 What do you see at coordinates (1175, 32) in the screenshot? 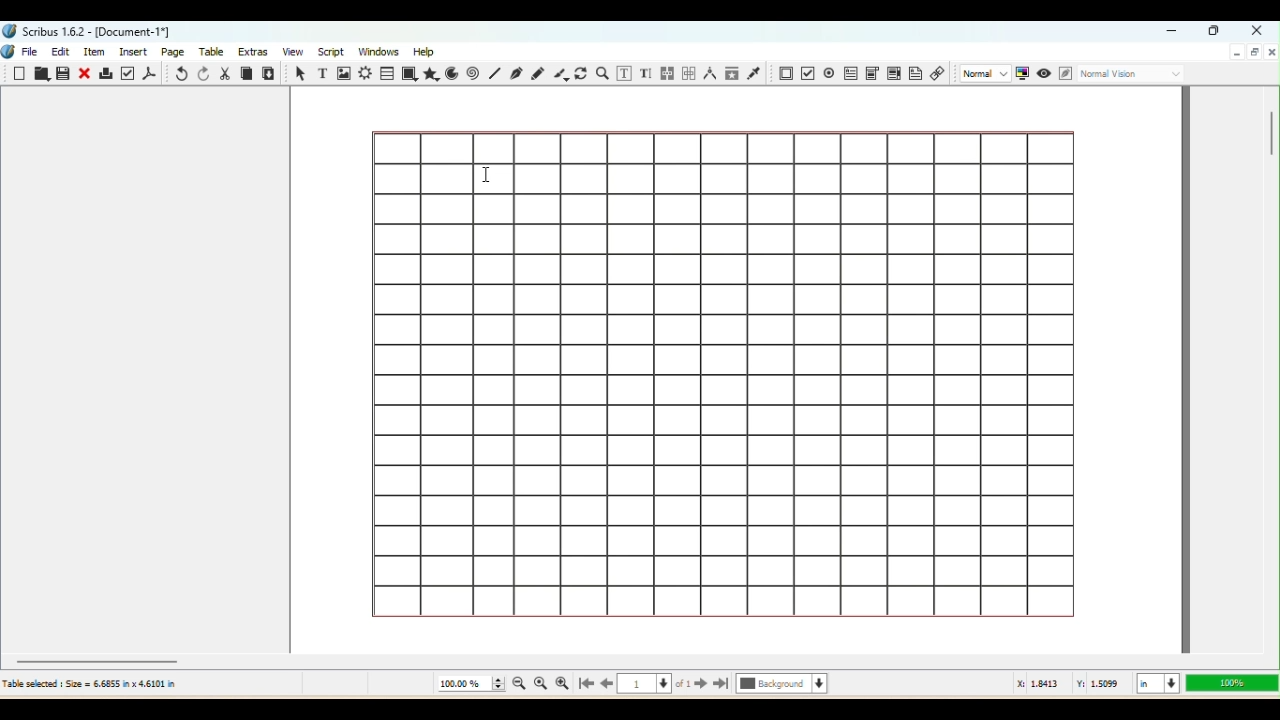
I see `Minimize` at bounding box center [1175, 32].